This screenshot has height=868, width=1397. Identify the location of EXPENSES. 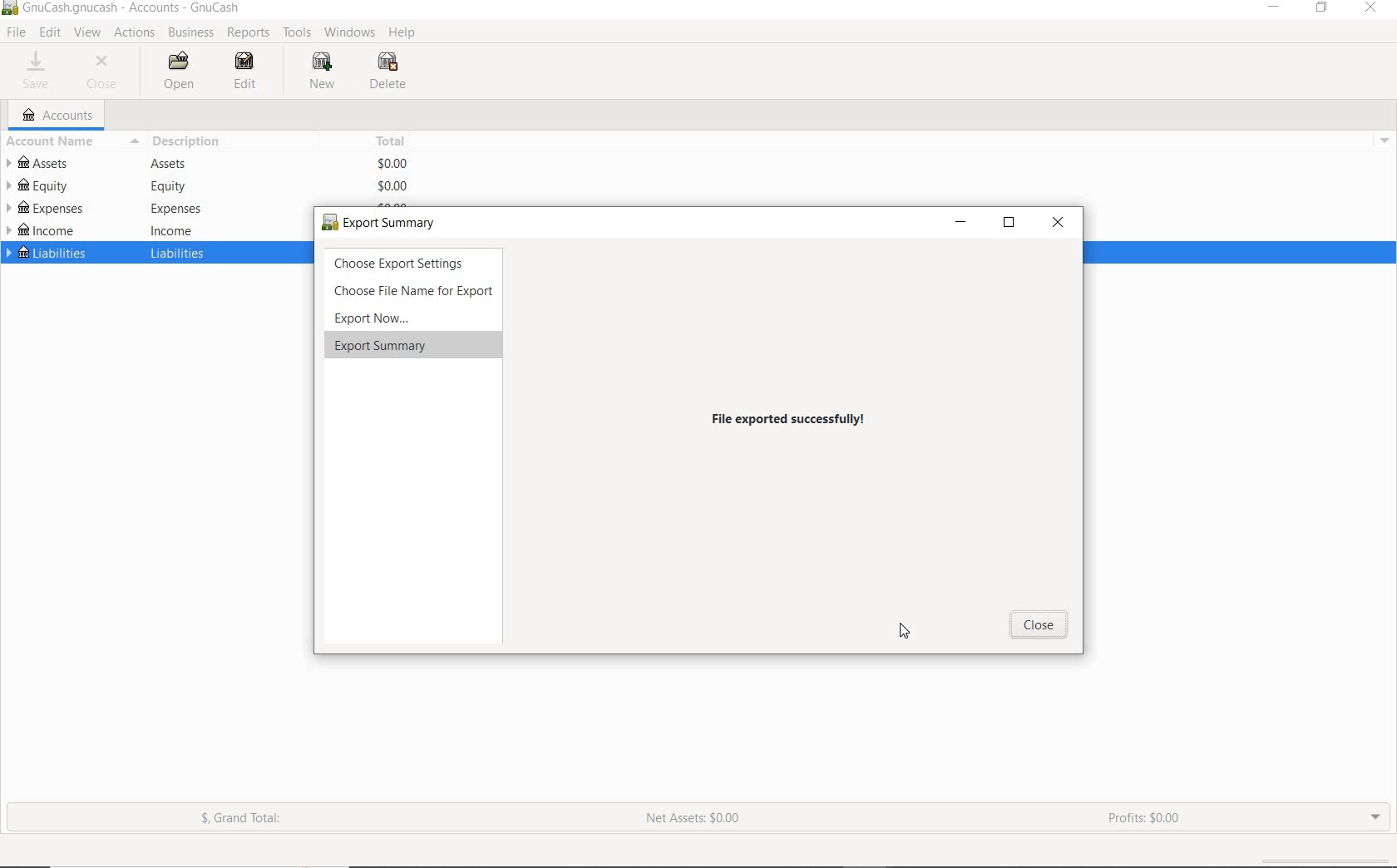
(45, 207).